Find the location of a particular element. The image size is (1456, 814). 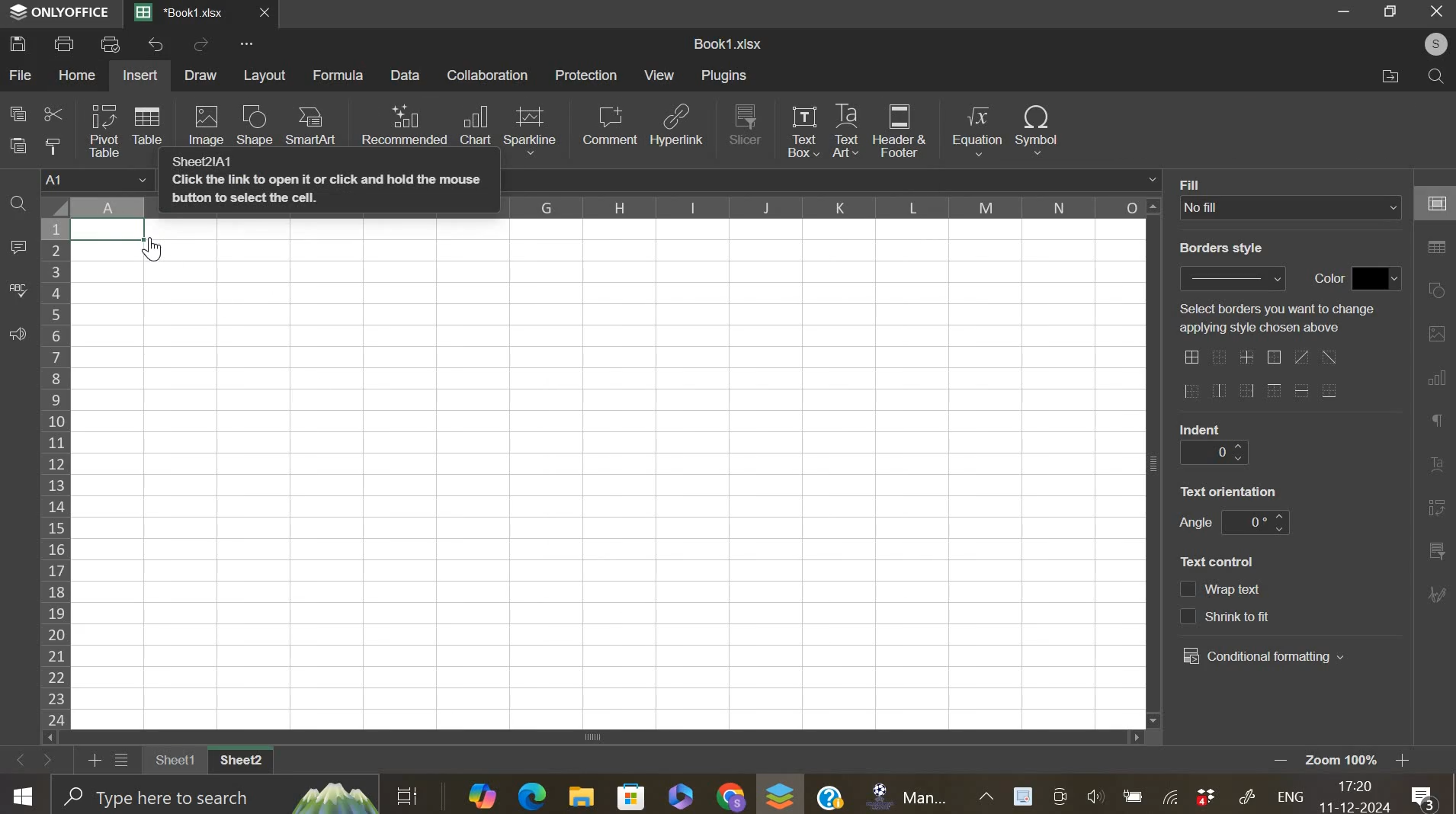

Cursor is located at coordinates (158, 250).